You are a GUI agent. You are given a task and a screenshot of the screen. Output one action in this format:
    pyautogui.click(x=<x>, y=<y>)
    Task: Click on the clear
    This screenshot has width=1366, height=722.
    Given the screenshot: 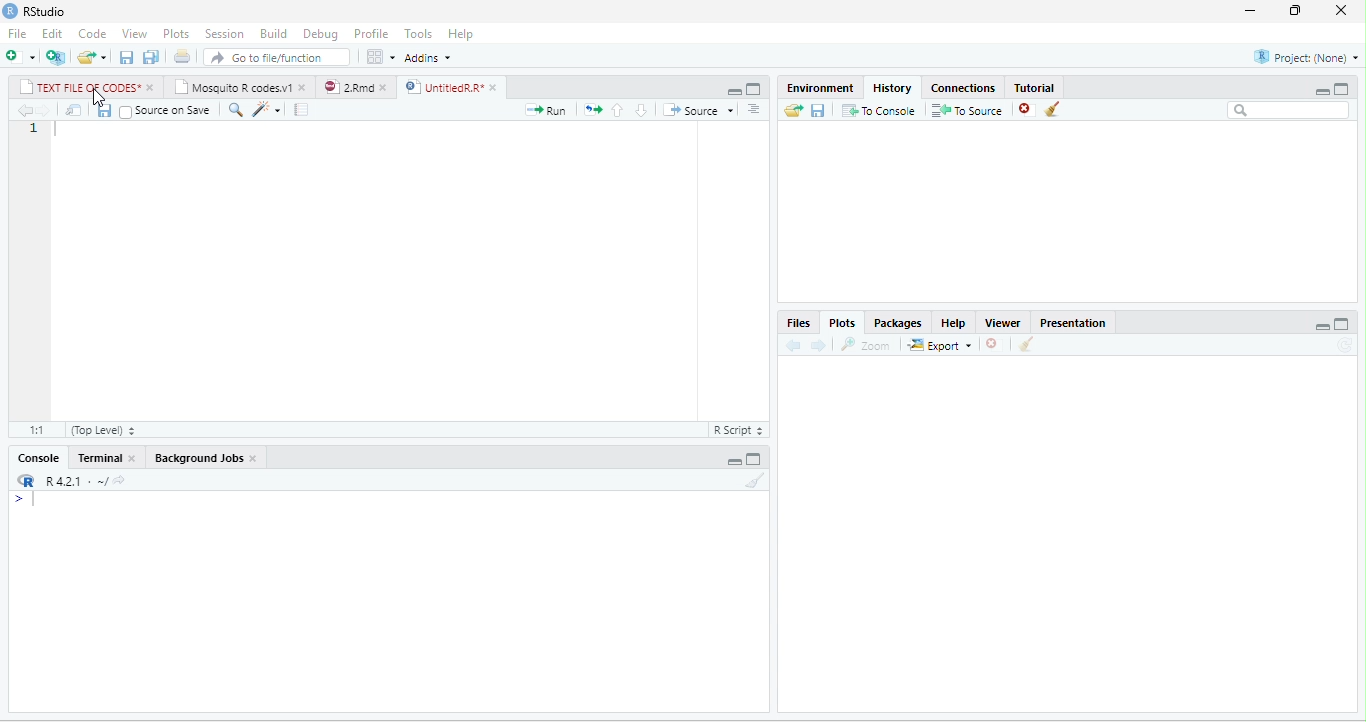 What is the action you would take?
    pyautogui.click(x=1027, y=344)
    